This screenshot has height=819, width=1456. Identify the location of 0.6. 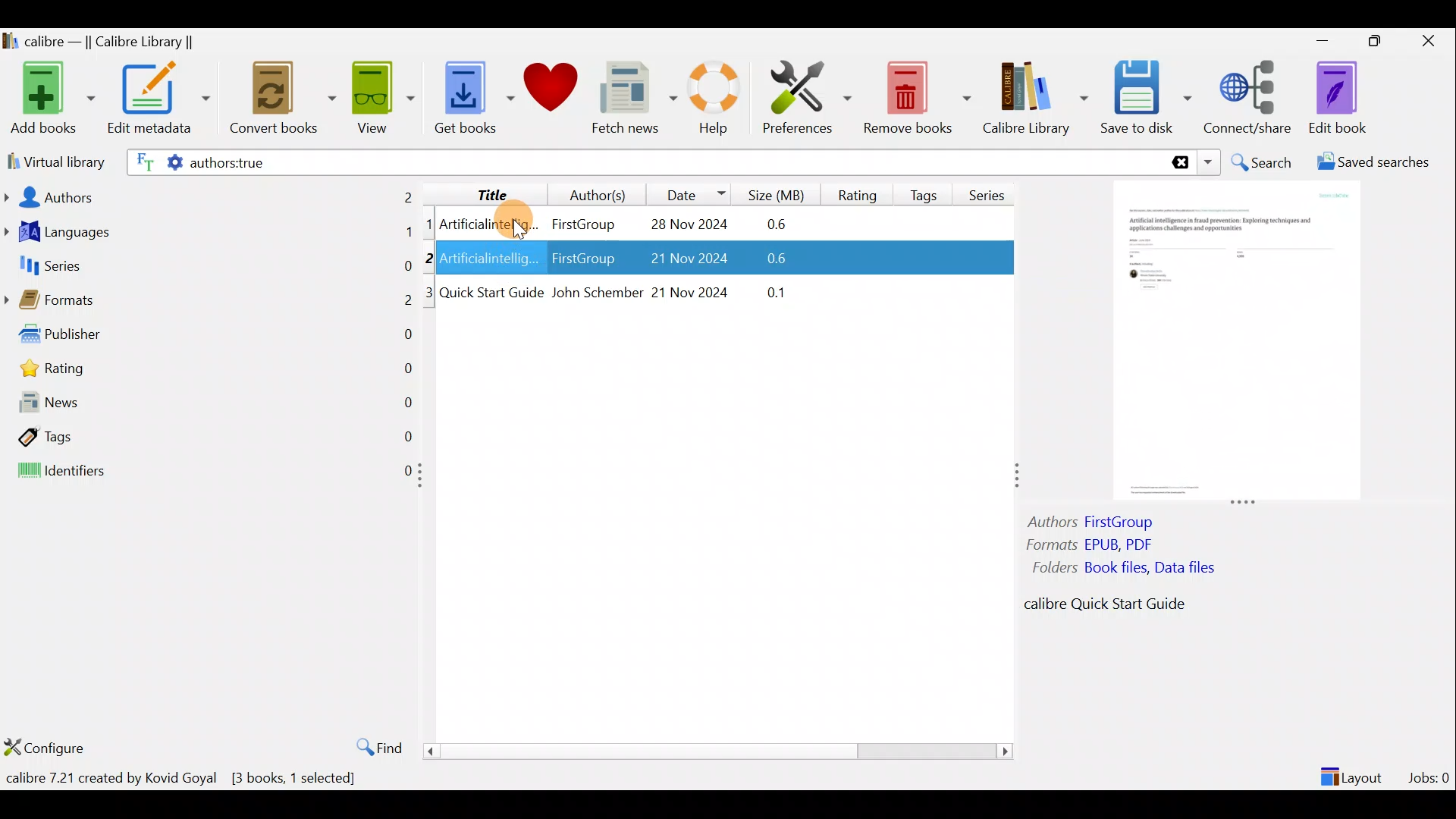
(763, 261).